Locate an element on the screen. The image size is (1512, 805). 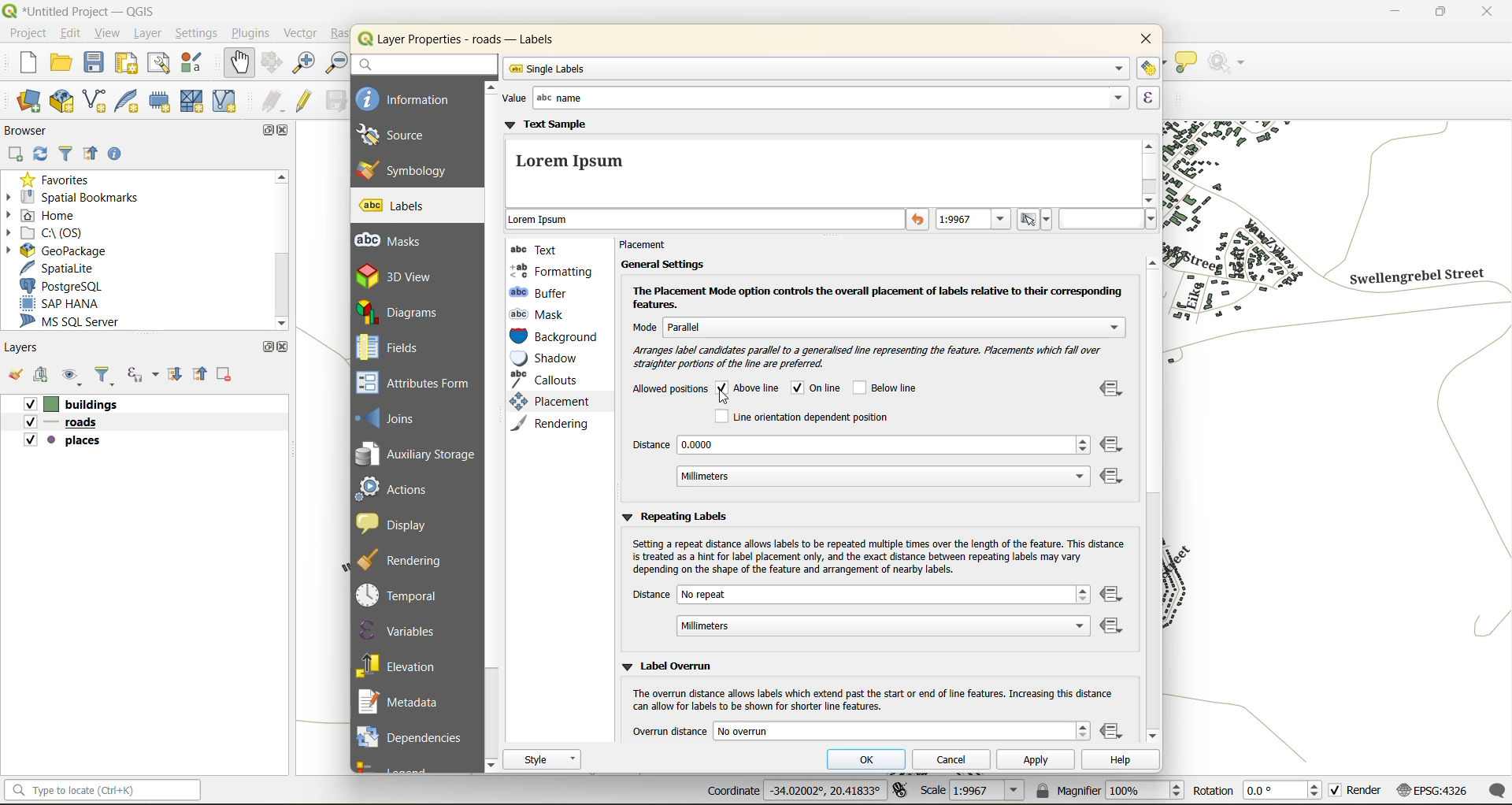
new shapefile layer is located at coordinates (102, 102).